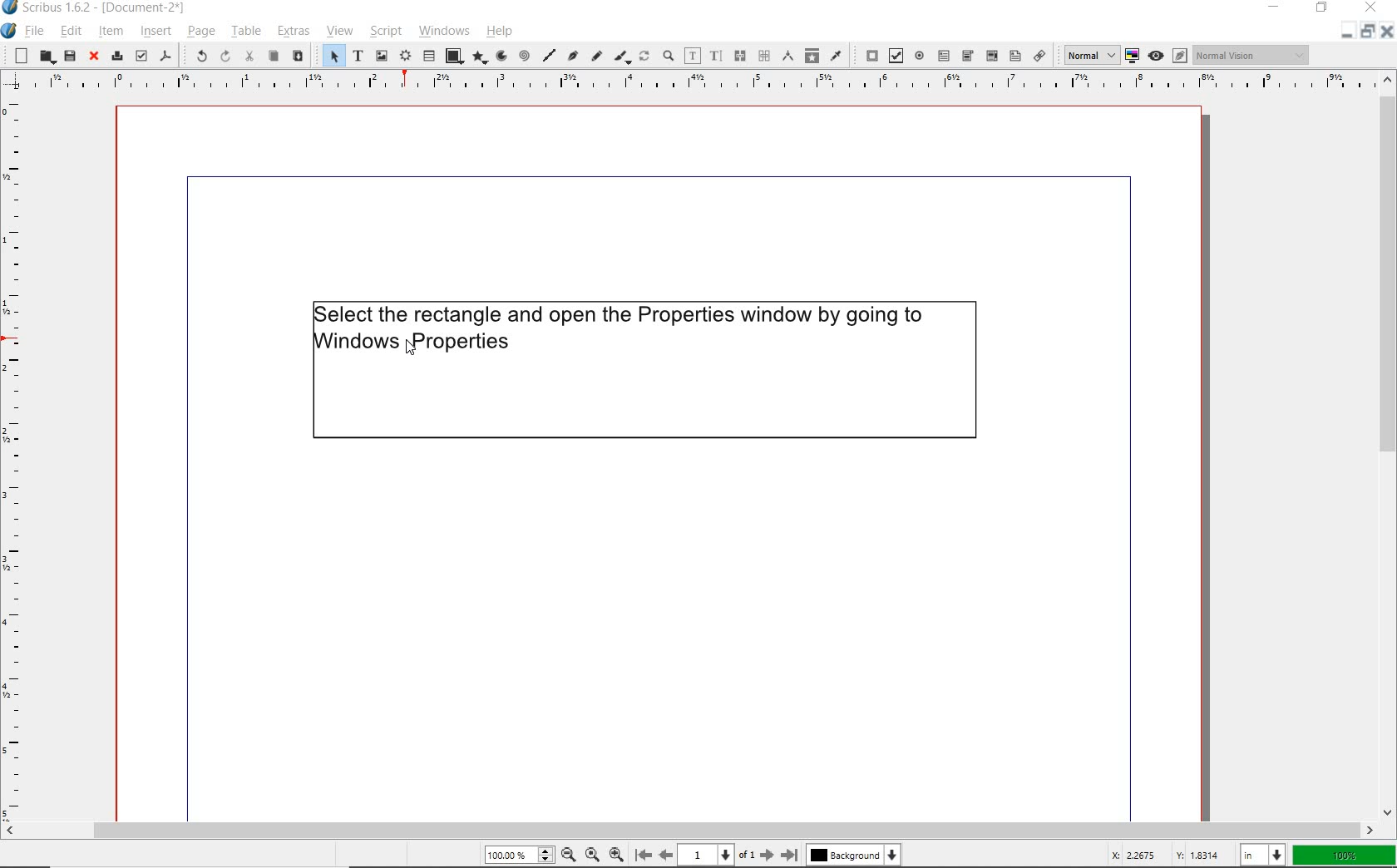 The height and width of the screenshot is (868, 1397). I want to click on line, so click(550, 55).